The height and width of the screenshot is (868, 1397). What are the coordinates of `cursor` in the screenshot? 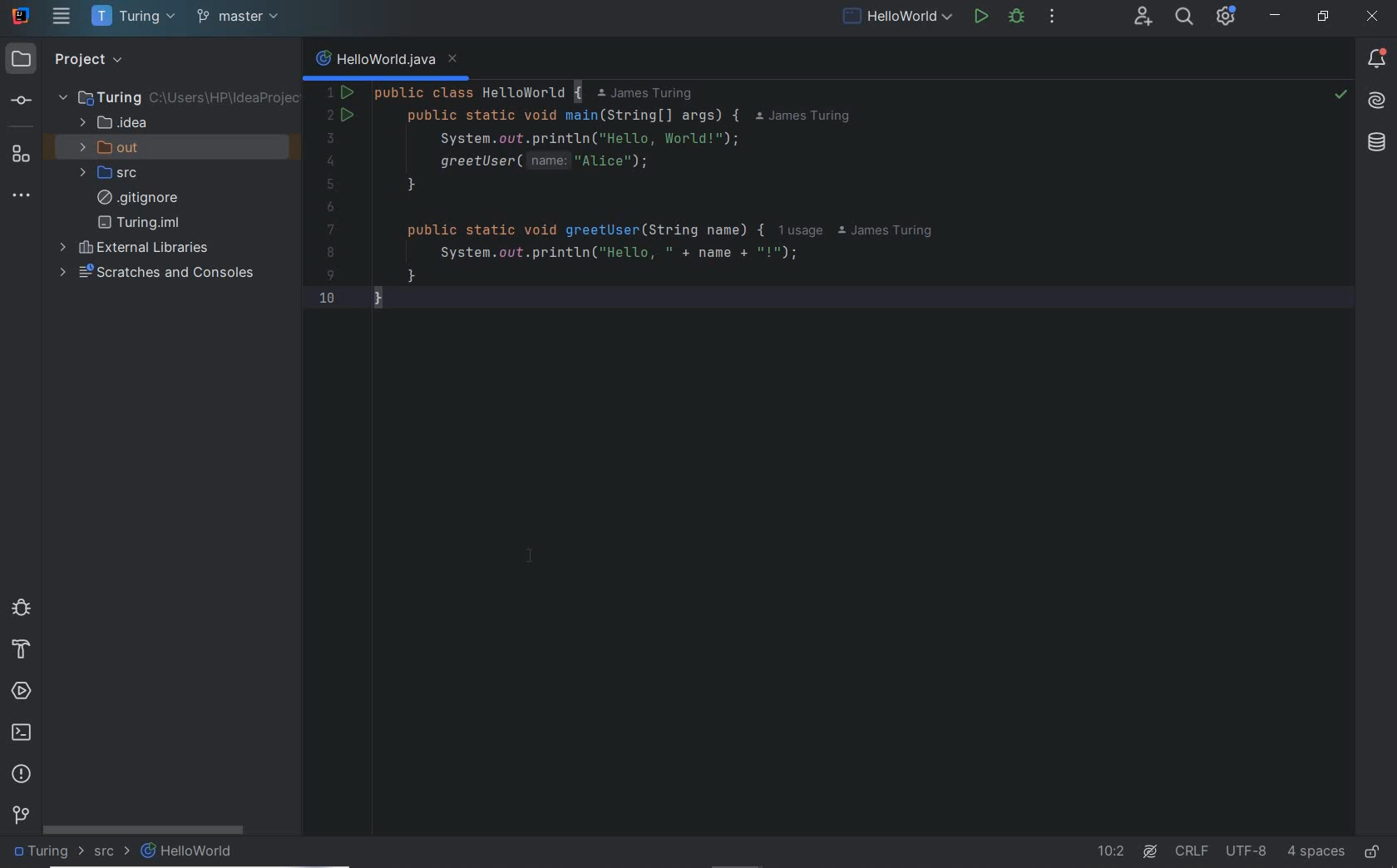 It's located at (531, 555).